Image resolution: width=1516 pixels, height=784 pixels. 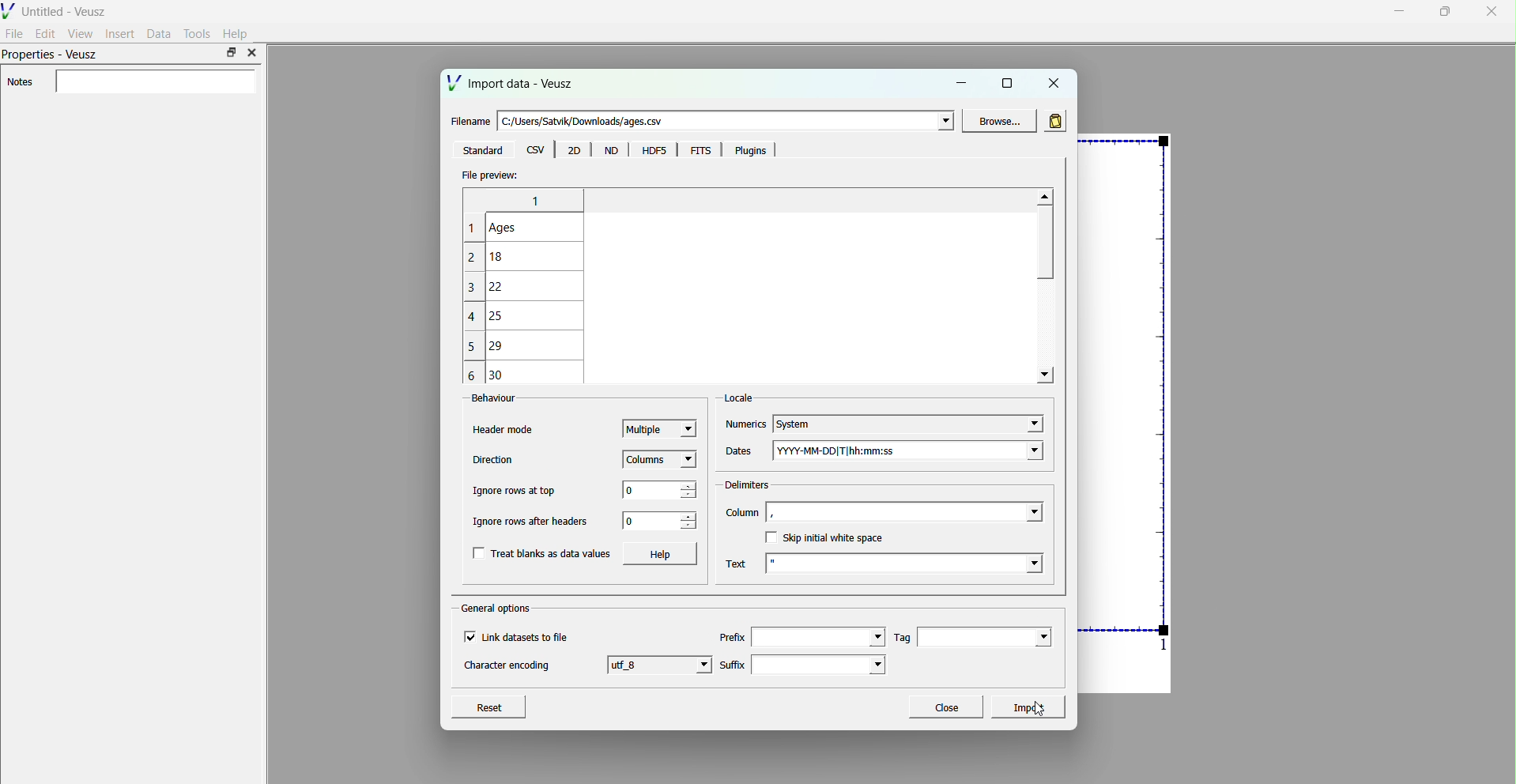 I want to click on suffix field, so click(x=820, y=665).